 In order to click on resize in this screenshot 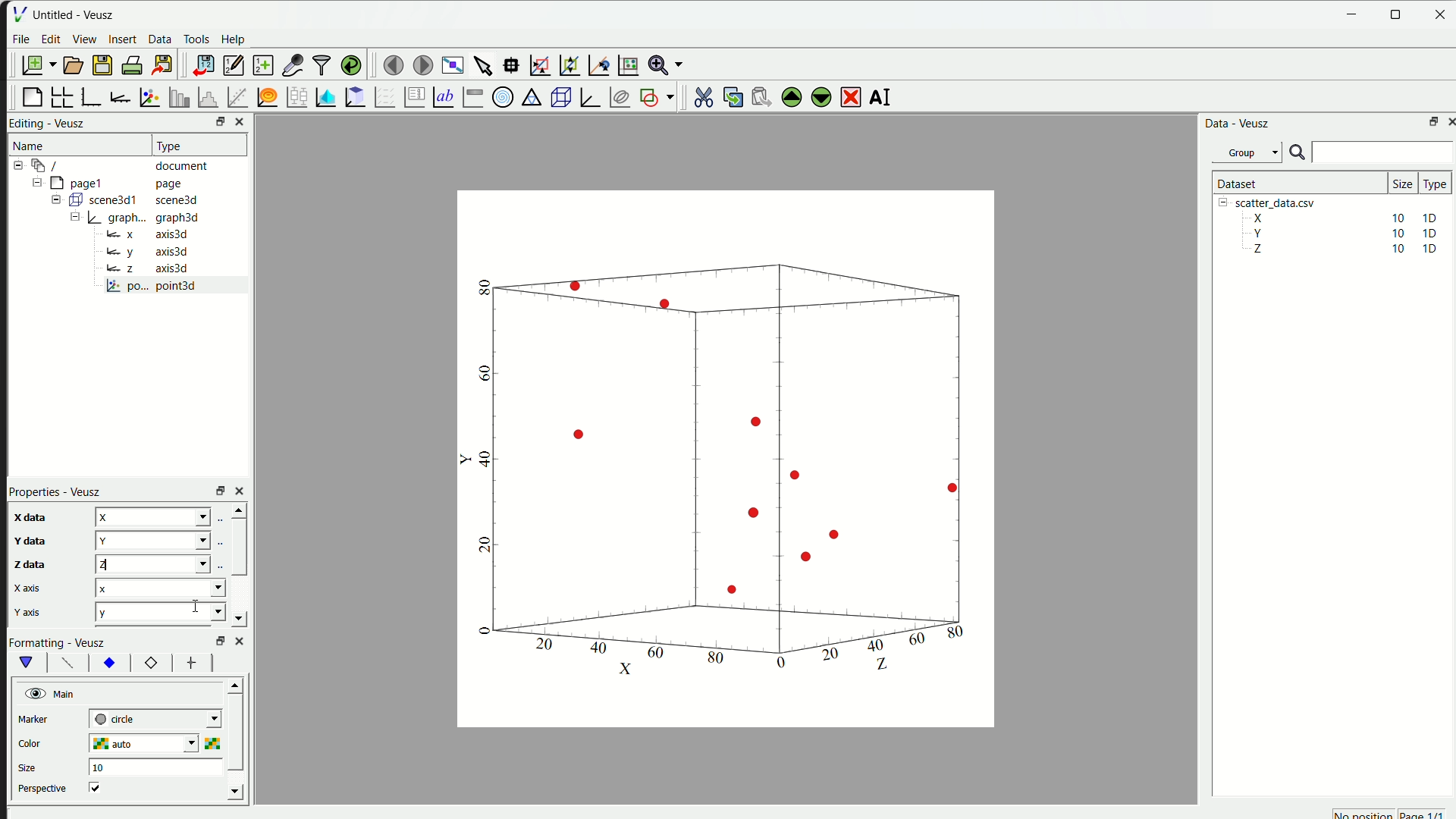, I will do `click(215, 123)`.